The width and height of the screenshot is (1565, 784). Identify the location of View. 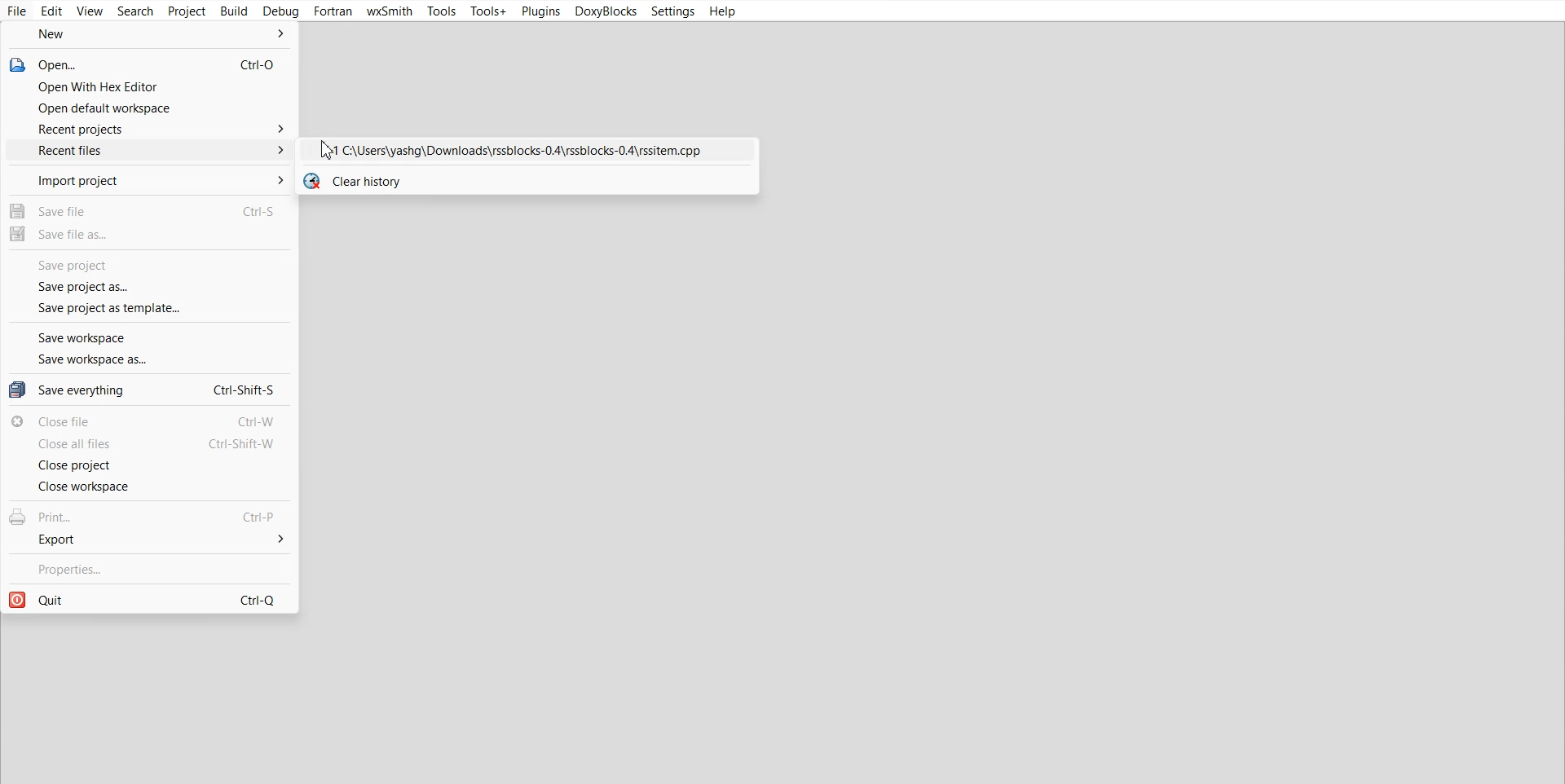
(90, 11).